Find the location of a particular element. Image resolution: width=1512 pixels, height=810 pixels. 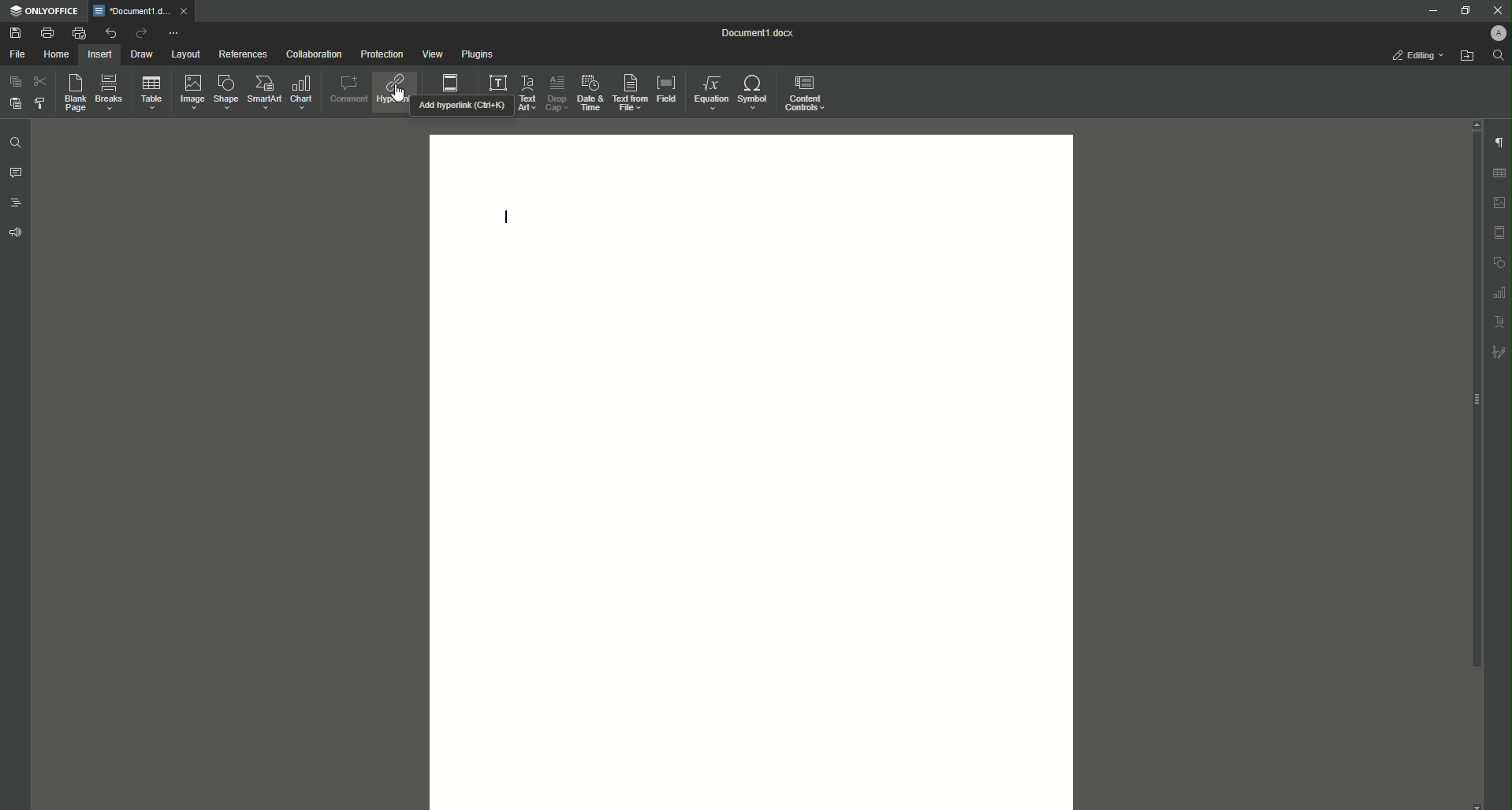

Print is located at coordinates (47, 32).